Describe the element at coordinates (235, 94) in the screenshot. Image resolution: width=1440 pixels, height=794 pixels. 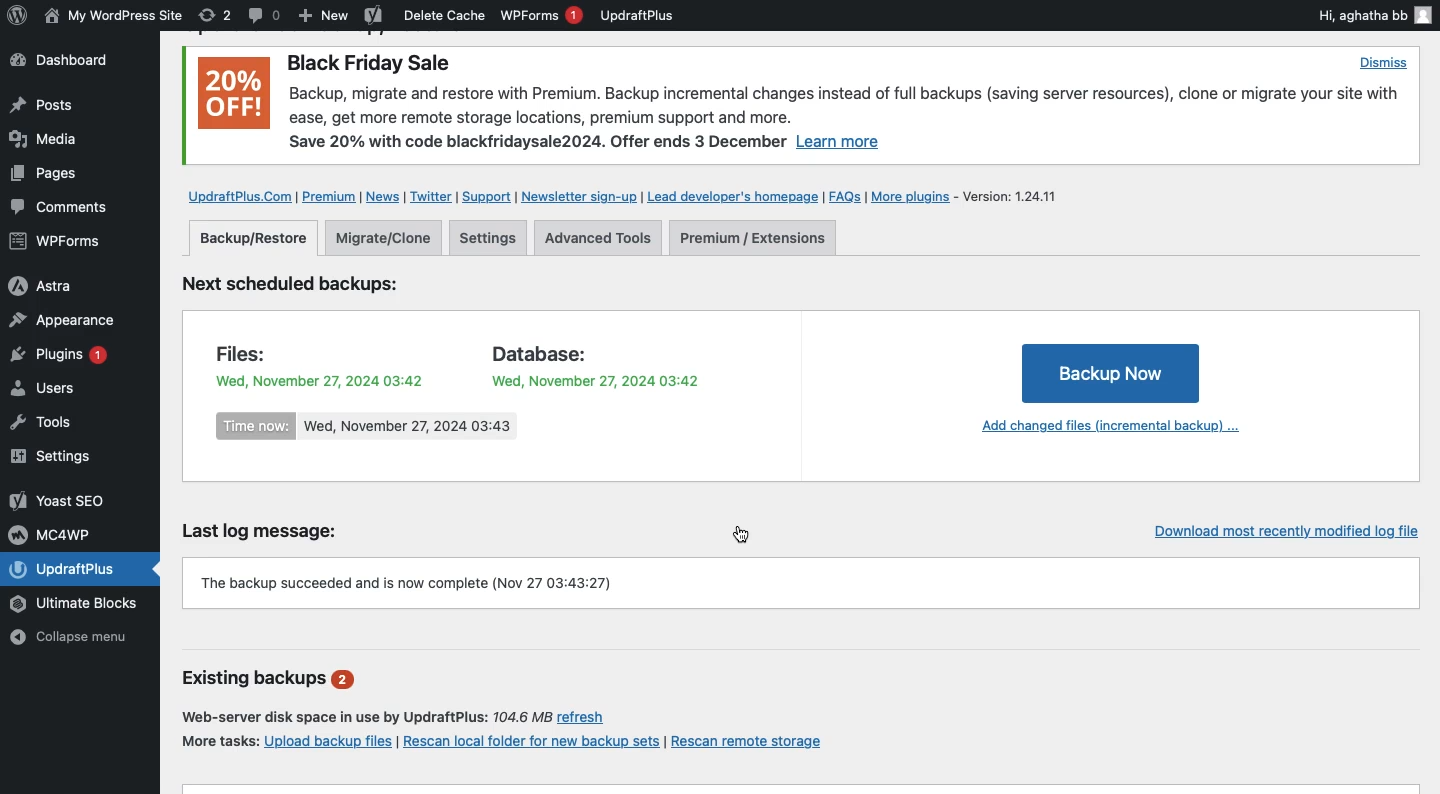
I see `20% OFF` at that location.